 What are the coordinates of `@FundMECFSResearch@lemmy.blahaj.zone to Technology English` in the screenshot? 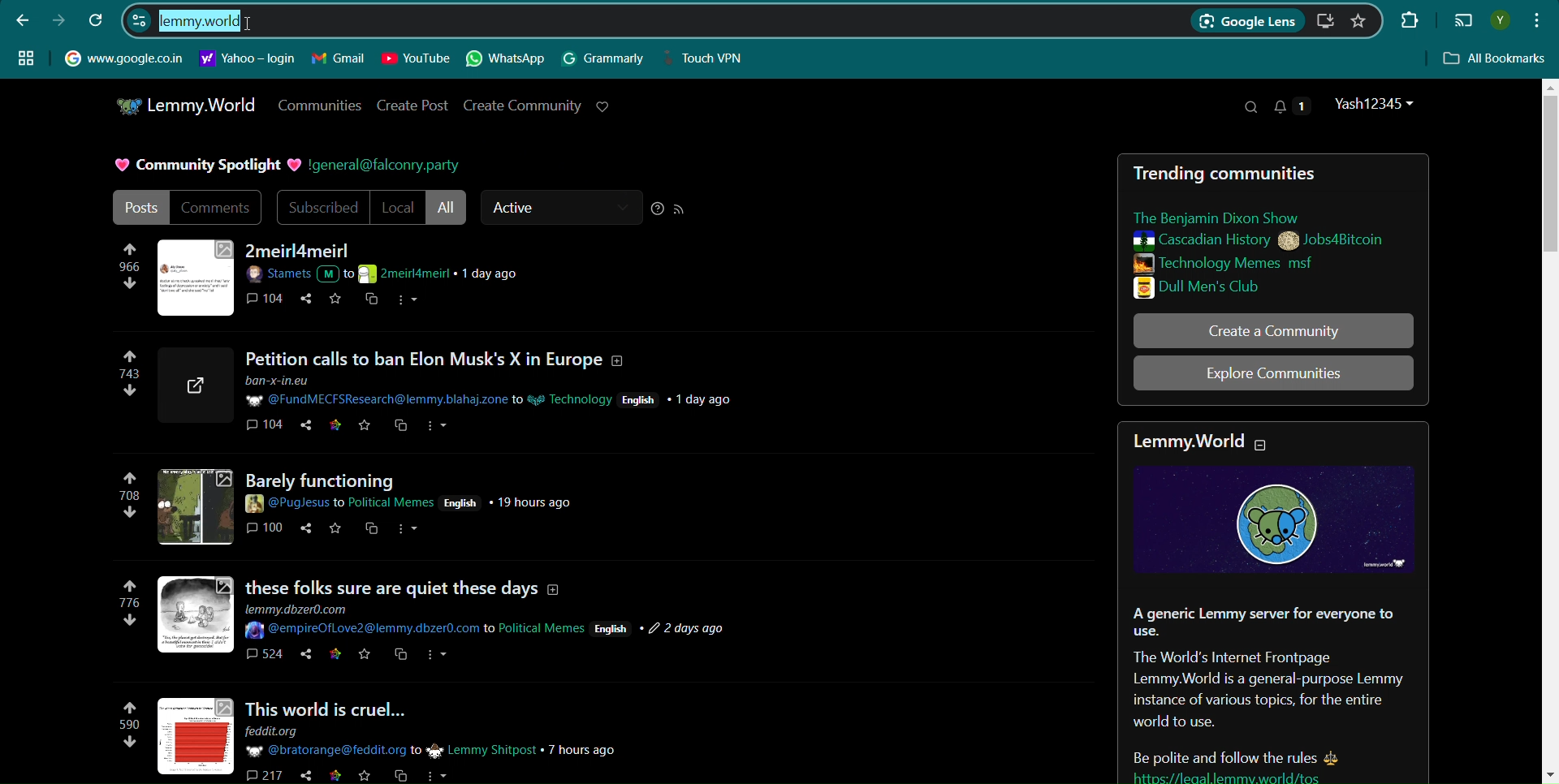 It's located at (491, 392).